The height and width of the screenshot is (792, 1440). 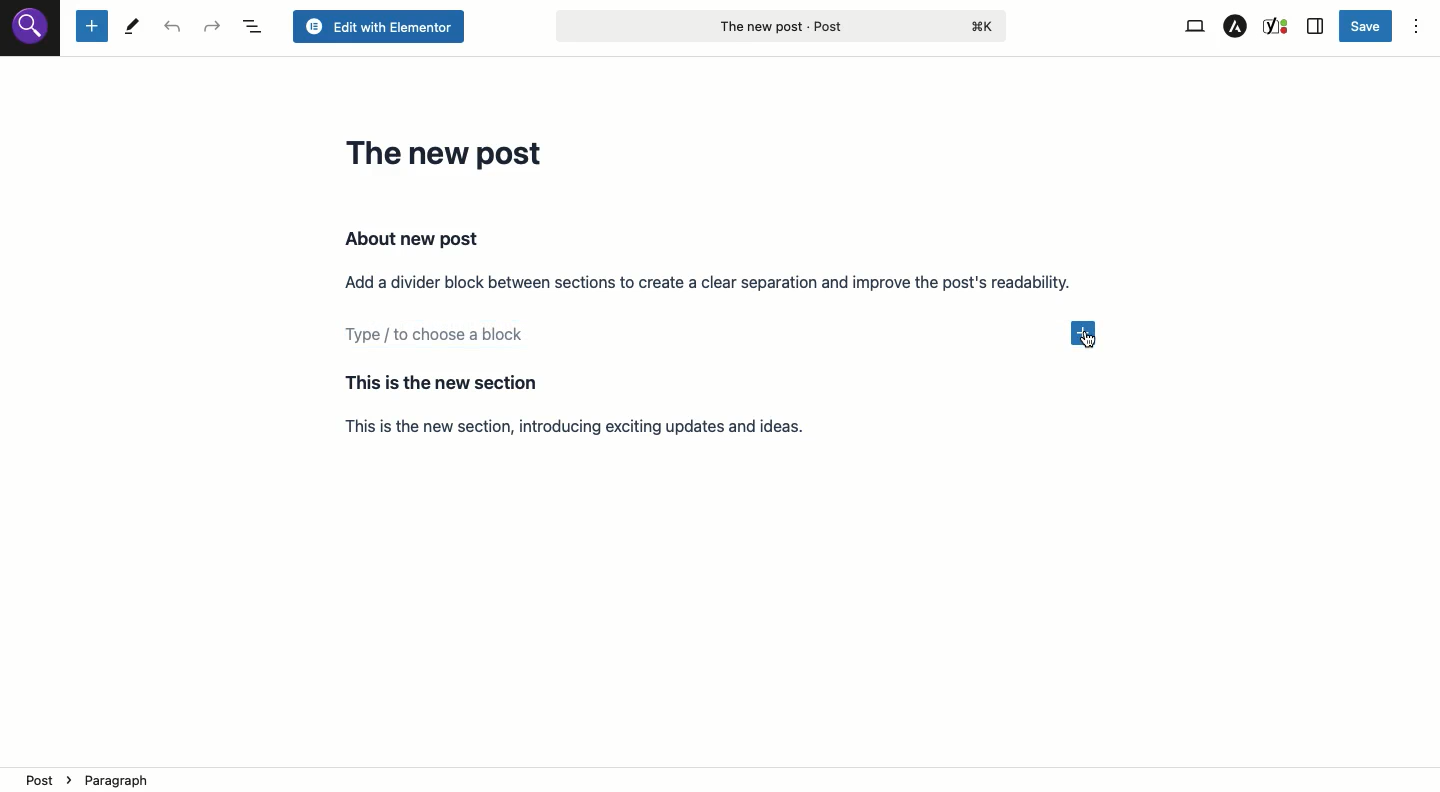 What do you see at coordinates (1236, 27) in the screenshot?
I see `Astar` at bounding box center [1236, 27].